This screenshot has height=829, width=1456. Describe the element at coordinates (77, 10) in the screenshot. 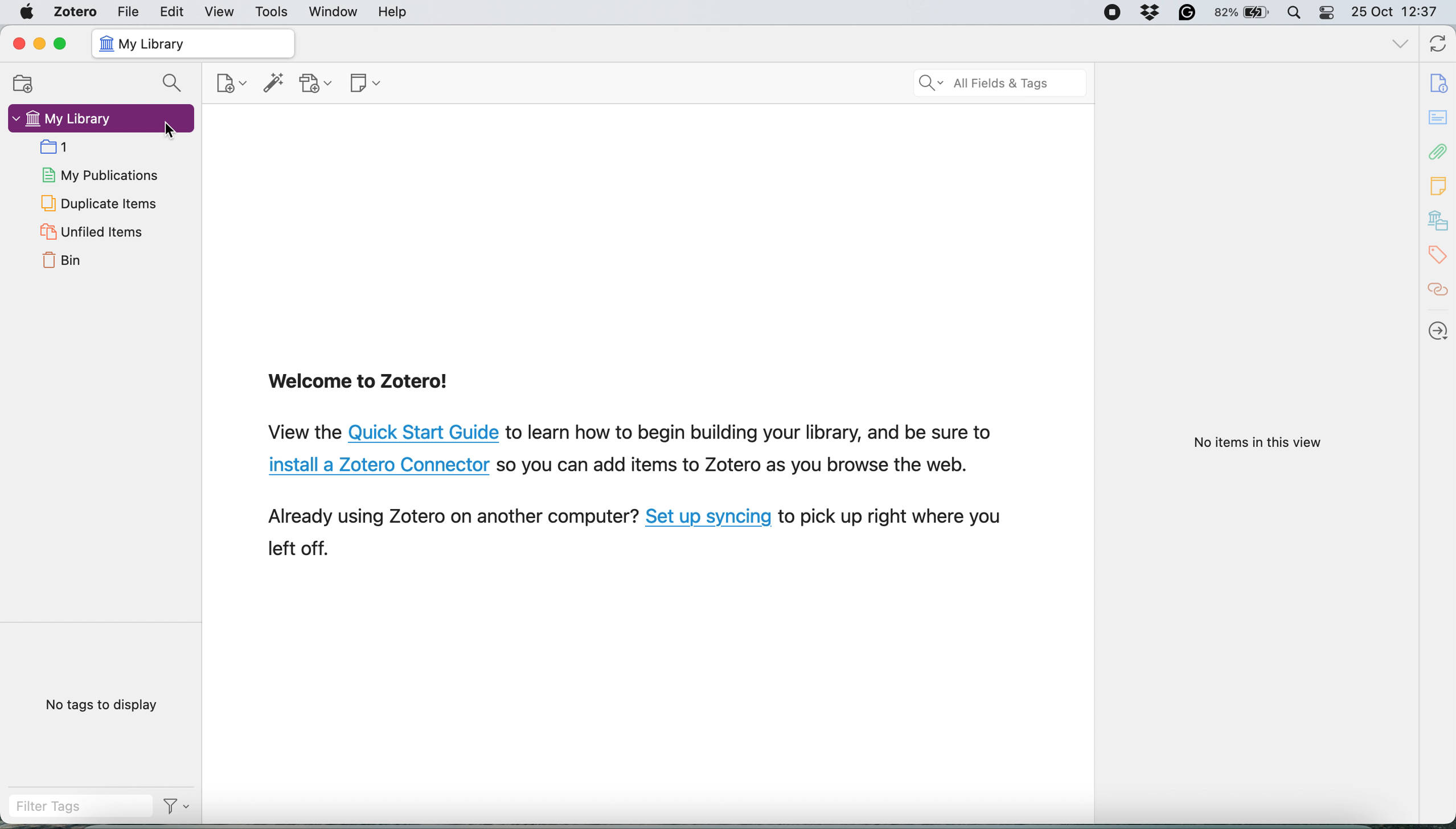

I see `zotero` at that location.